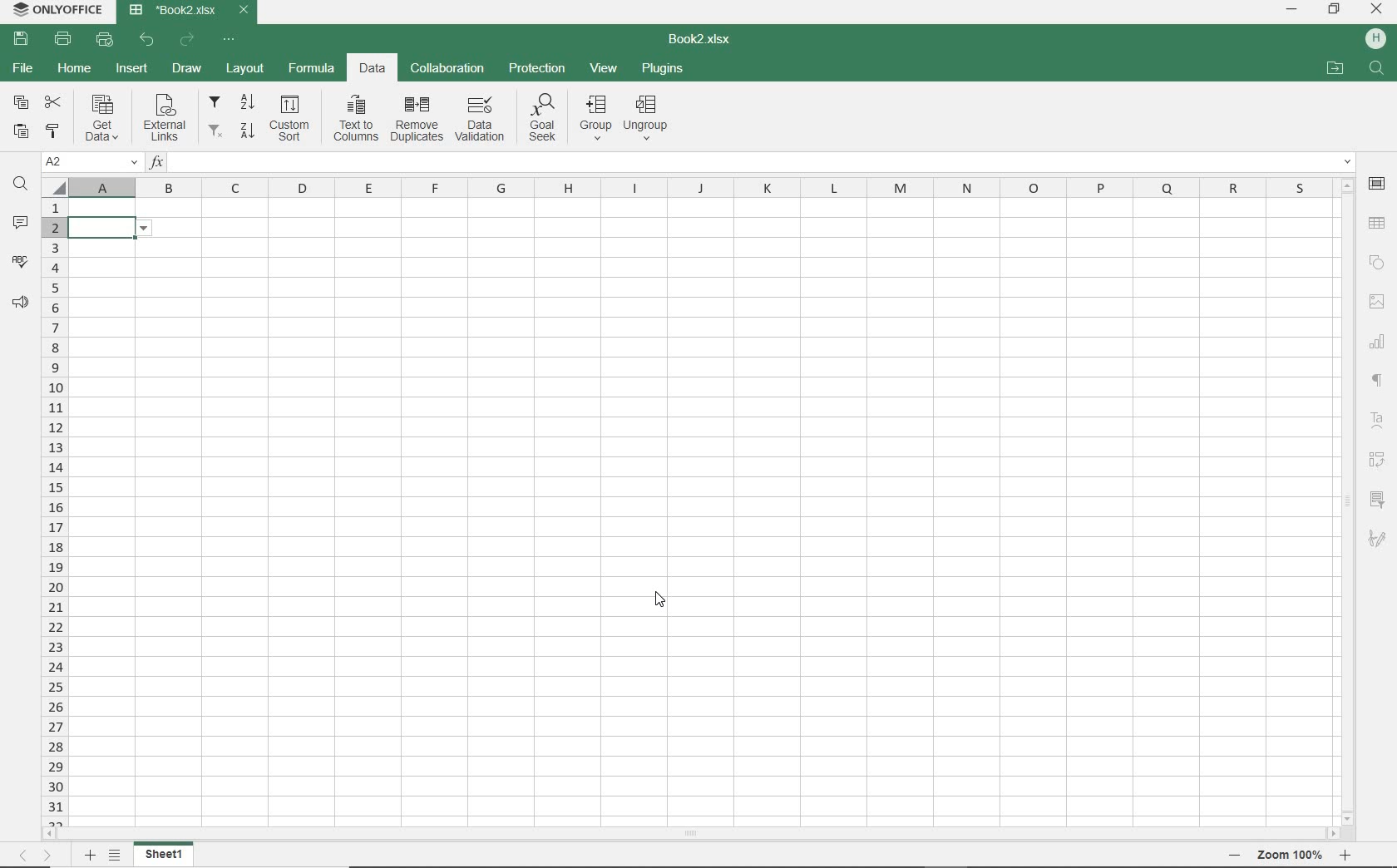  Describe the element at coordinates (664, 67) in the screenshot. I see `PLUGINS` at that location.